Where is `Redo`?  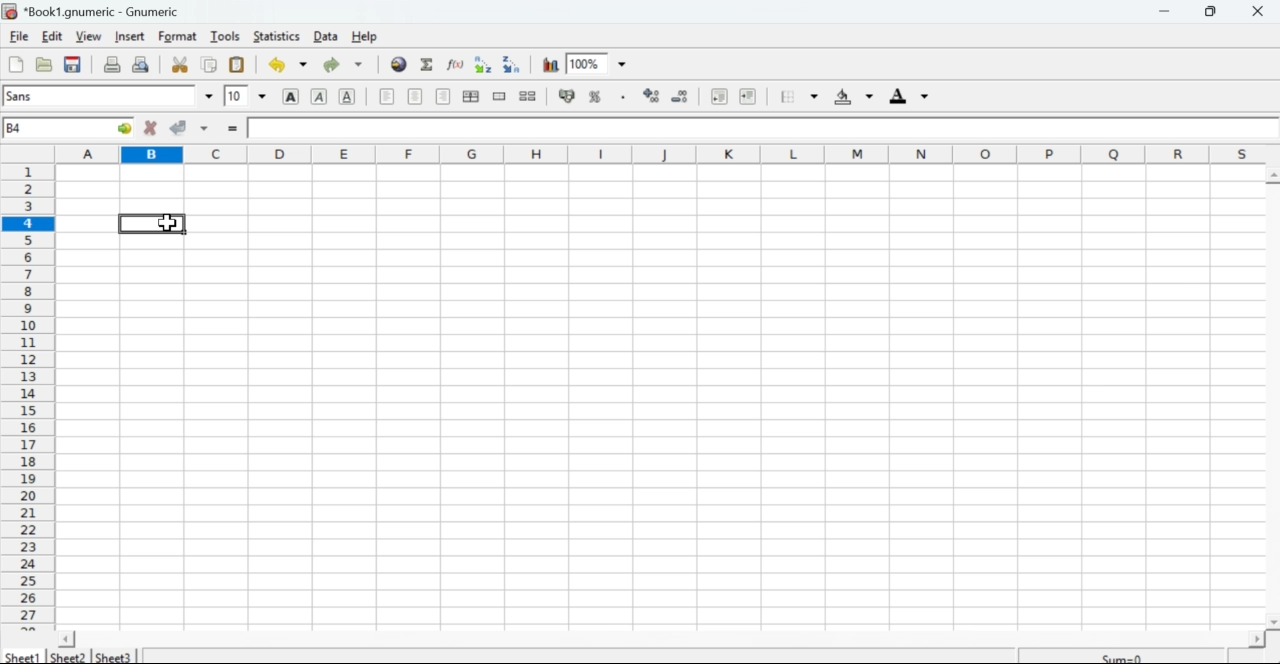 Redo is located at coordinates (331, 66).